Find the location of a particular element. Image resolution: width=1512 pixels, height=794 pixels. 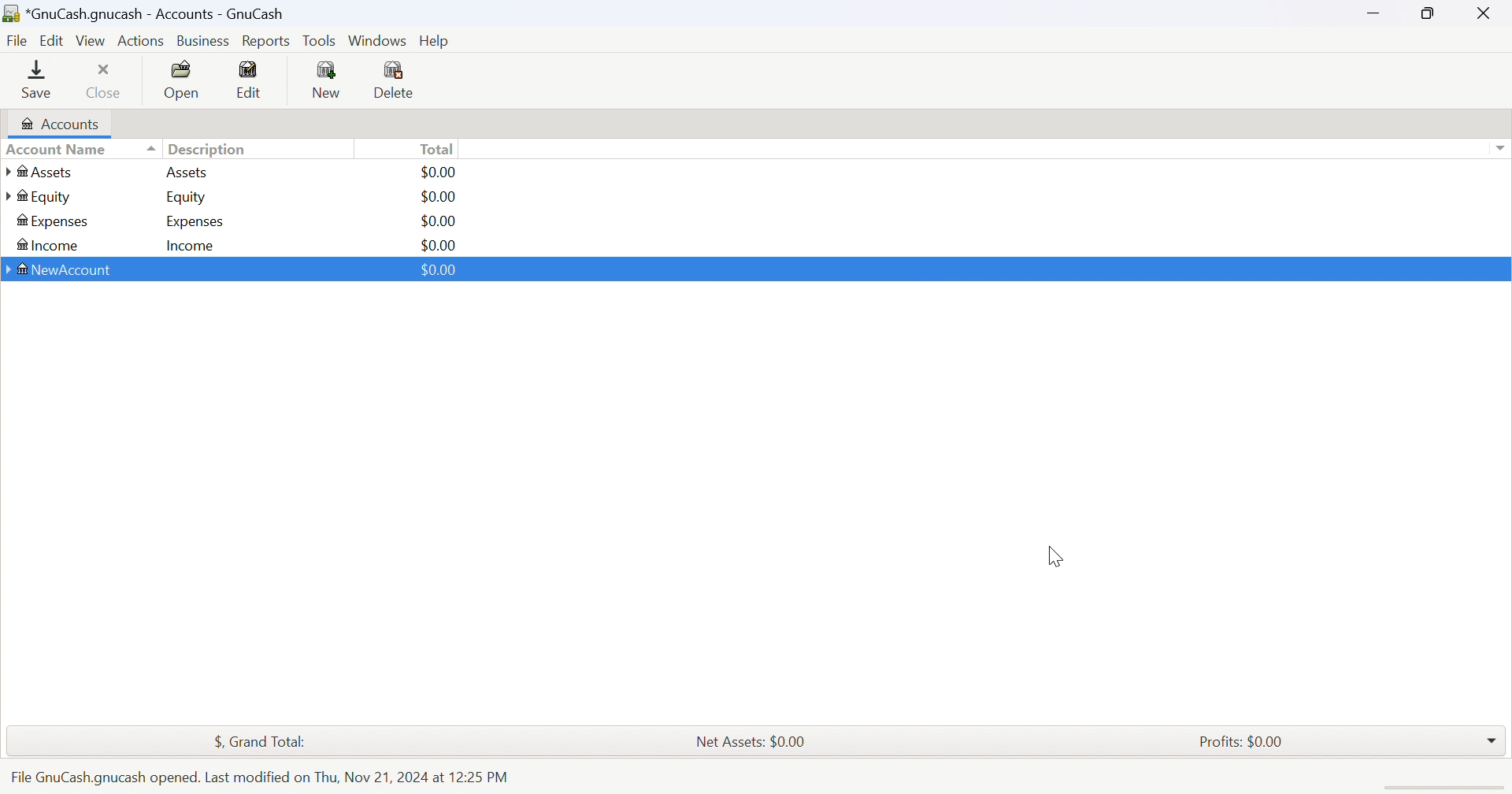

Edit is located at coordinates (54, 39).